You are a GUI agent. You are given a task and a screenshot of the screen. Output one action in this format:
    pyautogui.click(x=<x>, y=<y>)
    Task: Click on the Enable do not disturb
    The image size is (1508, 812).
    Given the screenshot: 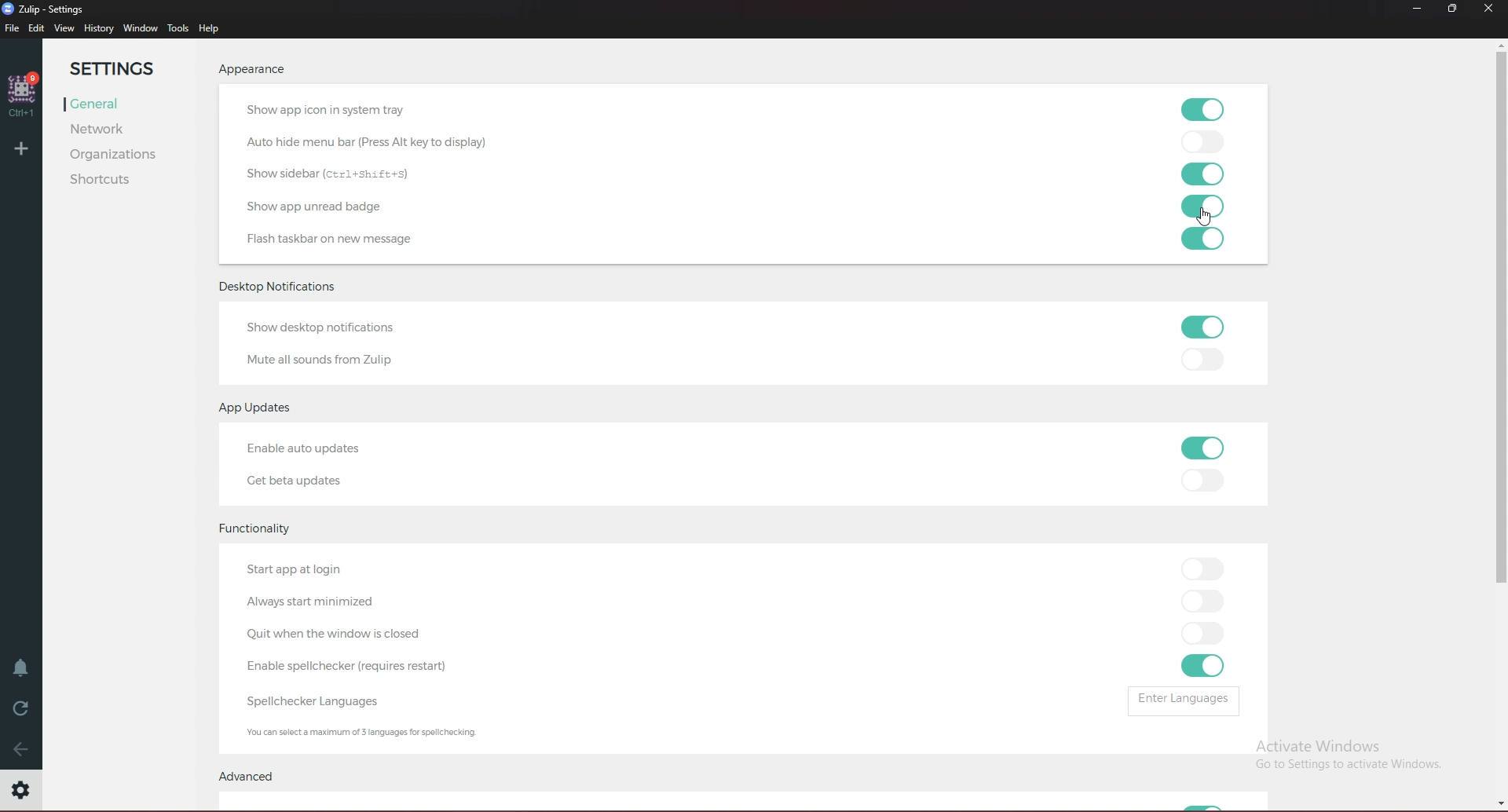 What is the action you would take?
    pyautogui.click(x=21, y=669)
    